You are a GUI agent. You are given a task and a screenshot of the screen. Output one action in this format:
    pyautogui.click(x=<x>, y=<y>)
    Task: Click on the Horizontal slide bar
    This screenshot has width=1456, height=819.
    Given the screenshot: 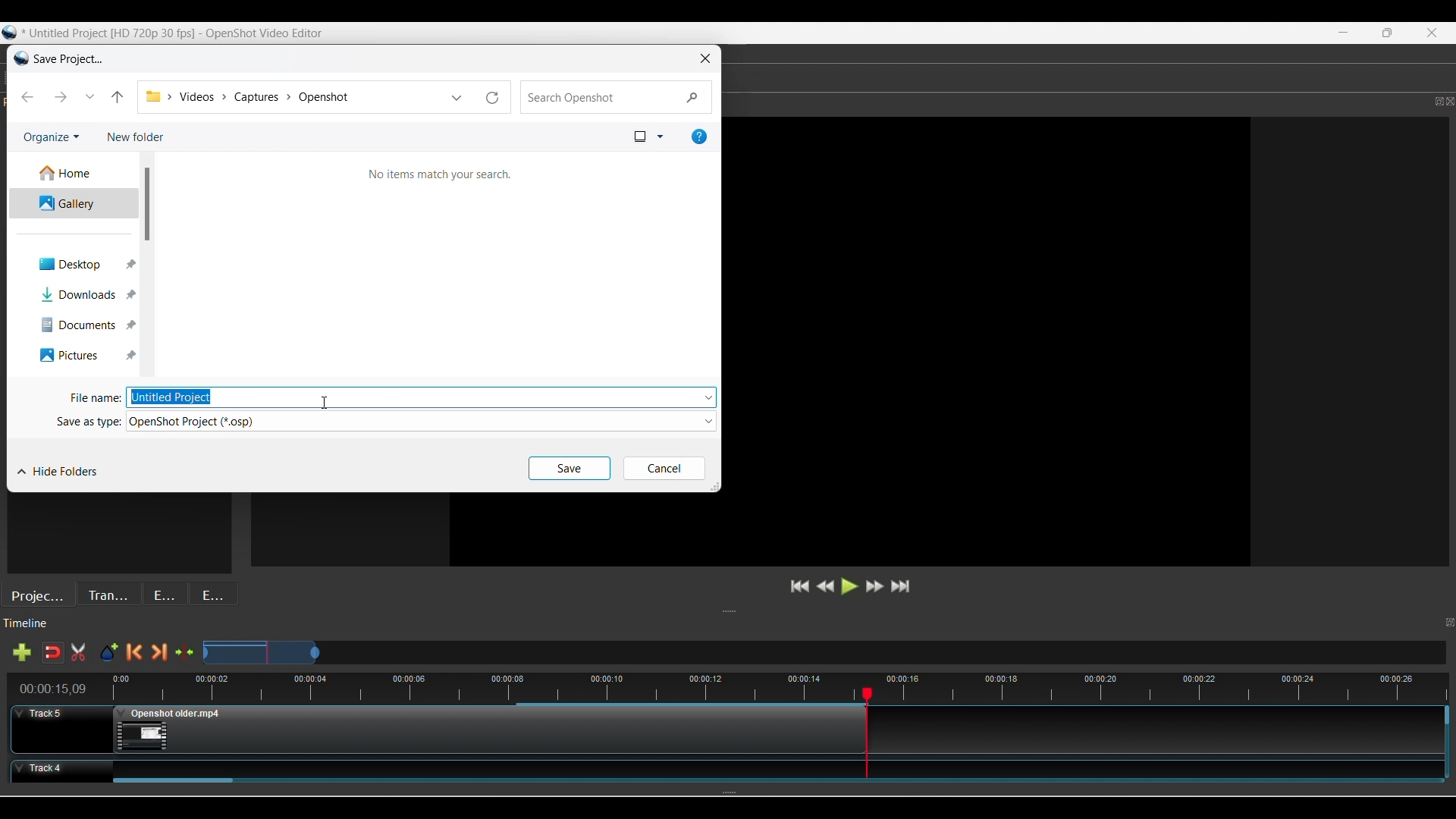 What is the action you would take?
    pyautogui.click(x=173, y=781)
    